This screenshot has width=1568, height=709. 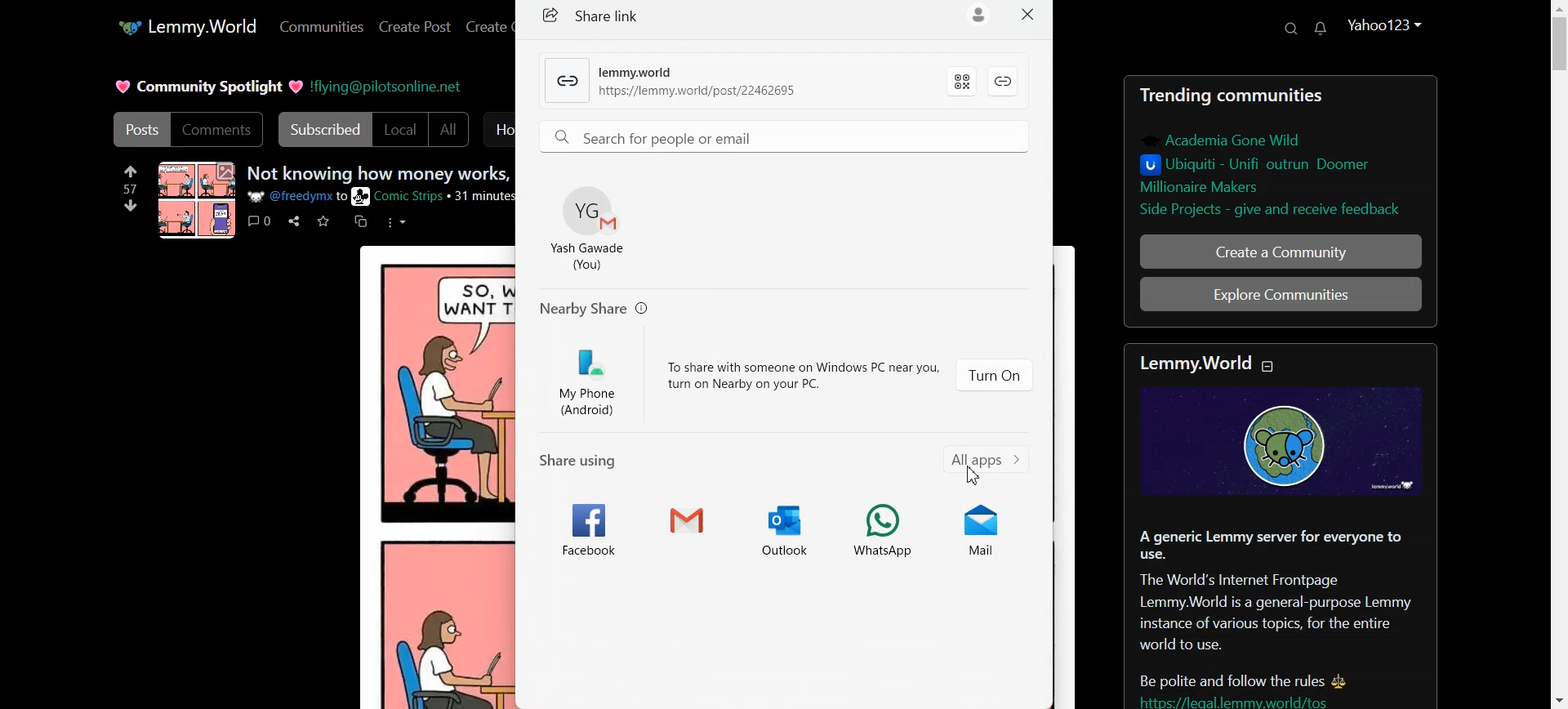 I want to click on Comments, so click(x=218, y=130).